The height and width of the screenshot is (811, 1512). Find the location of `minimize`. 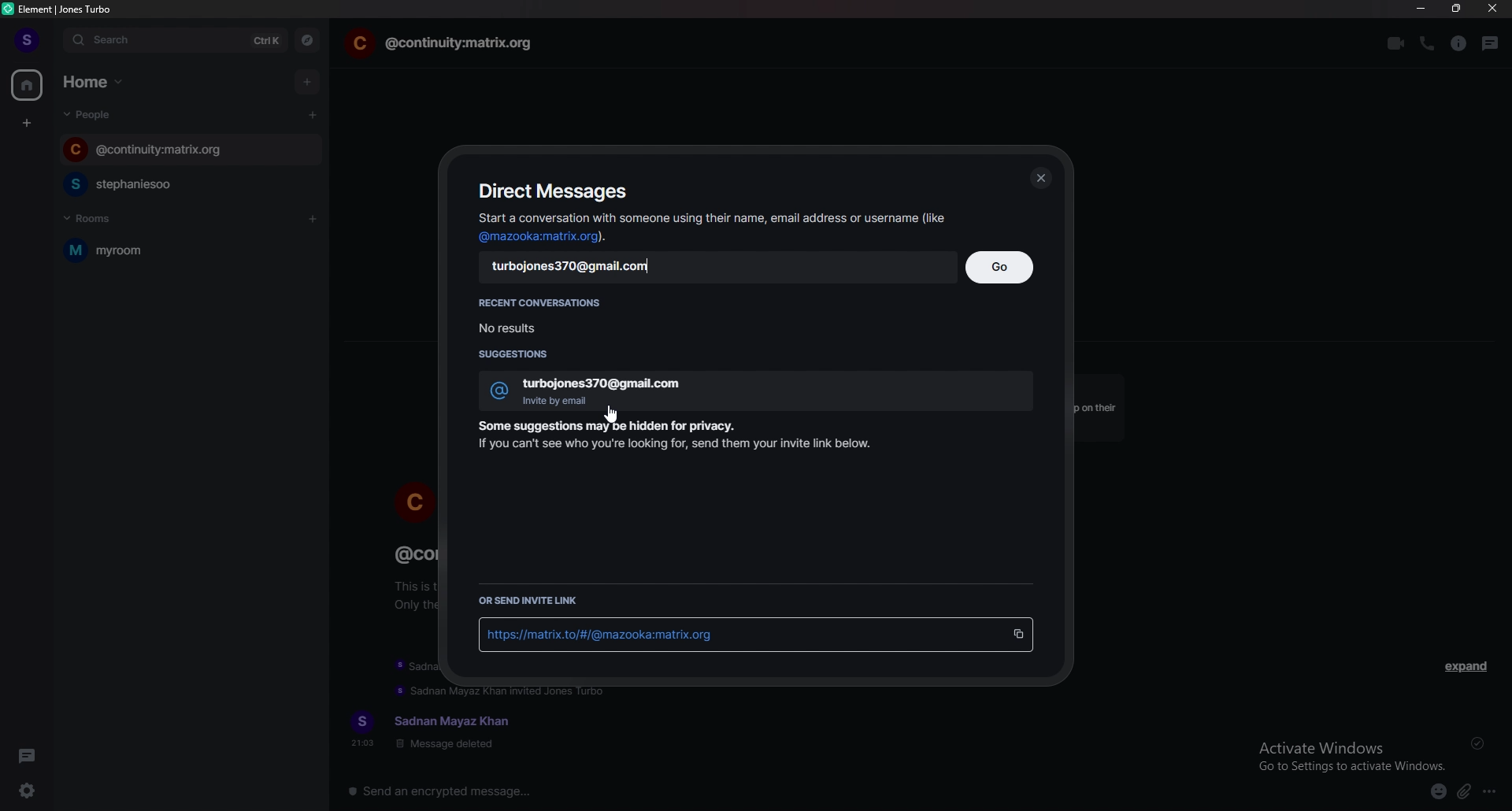

minimize is located at coordinates (1421, 9).